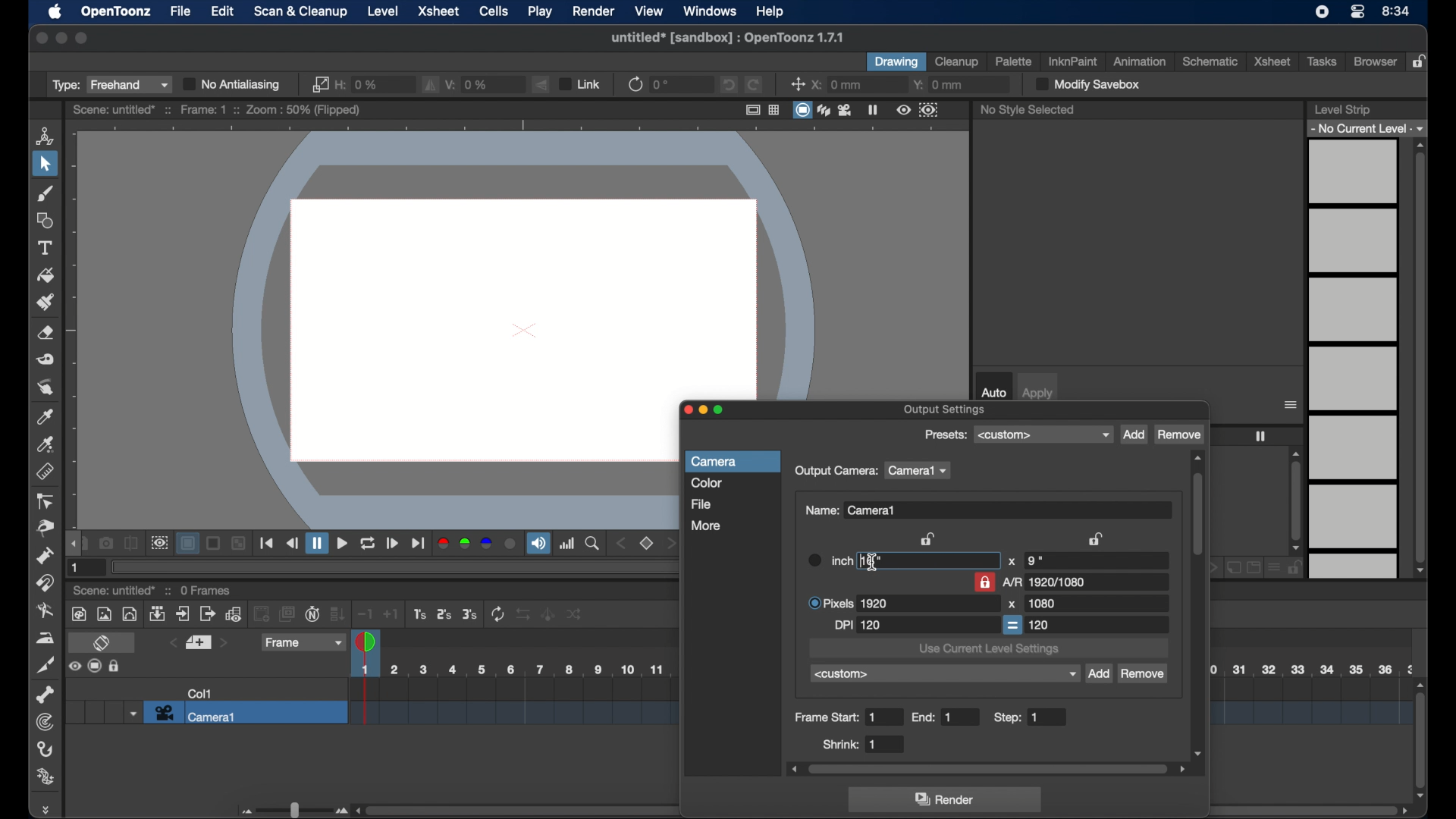  Describe the element at coordinates (1028, 109) in the screenshot. I see `no style selected` at that location.